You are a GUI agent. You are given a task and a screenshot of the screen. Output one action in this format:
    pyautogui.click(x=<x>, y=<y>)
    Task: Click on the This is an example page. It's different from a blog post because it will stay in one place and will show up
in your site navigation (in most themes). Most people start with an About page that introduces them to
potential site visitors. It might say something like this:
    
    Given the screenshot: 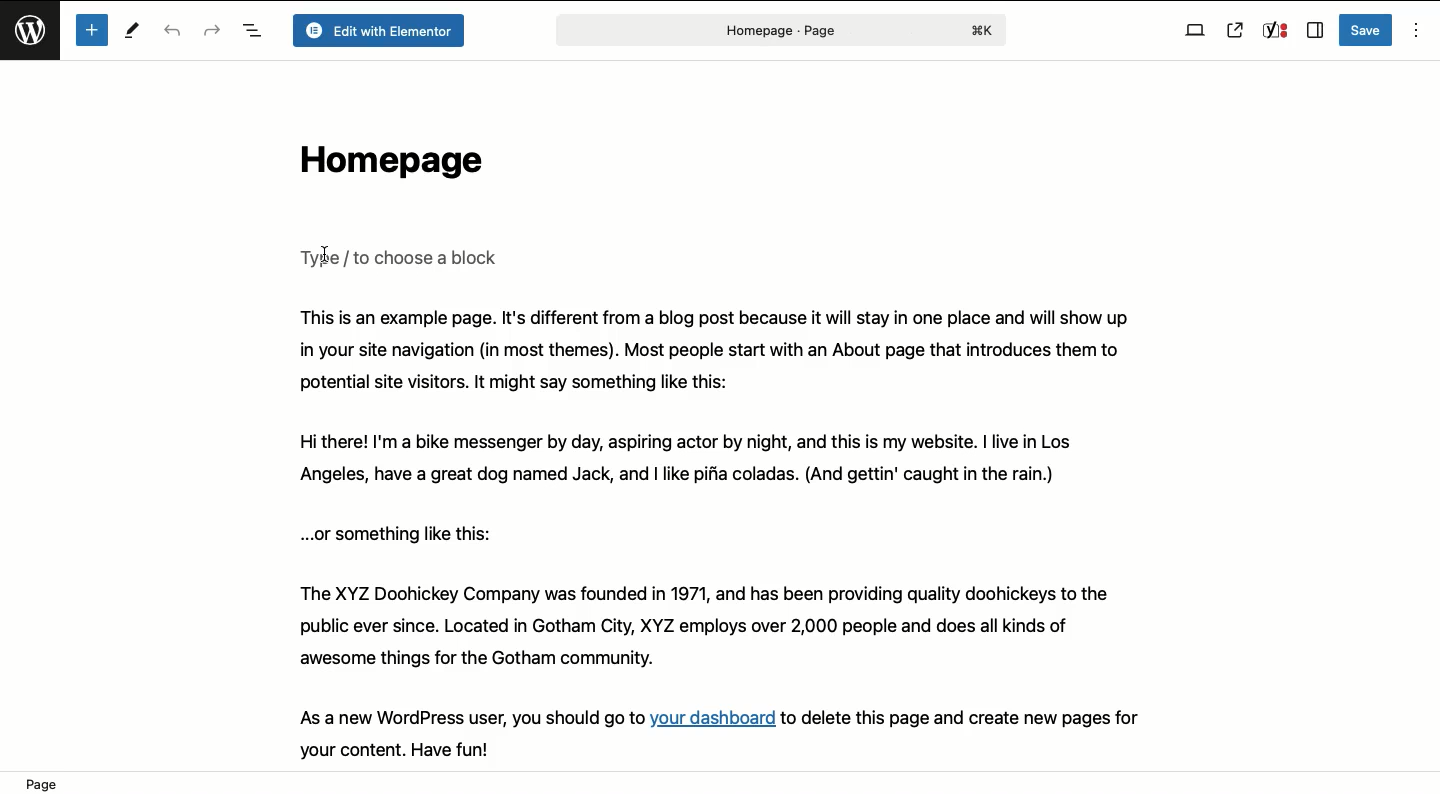 What is the action you would take?
    pyautogui.click(x=716, y=350)
    